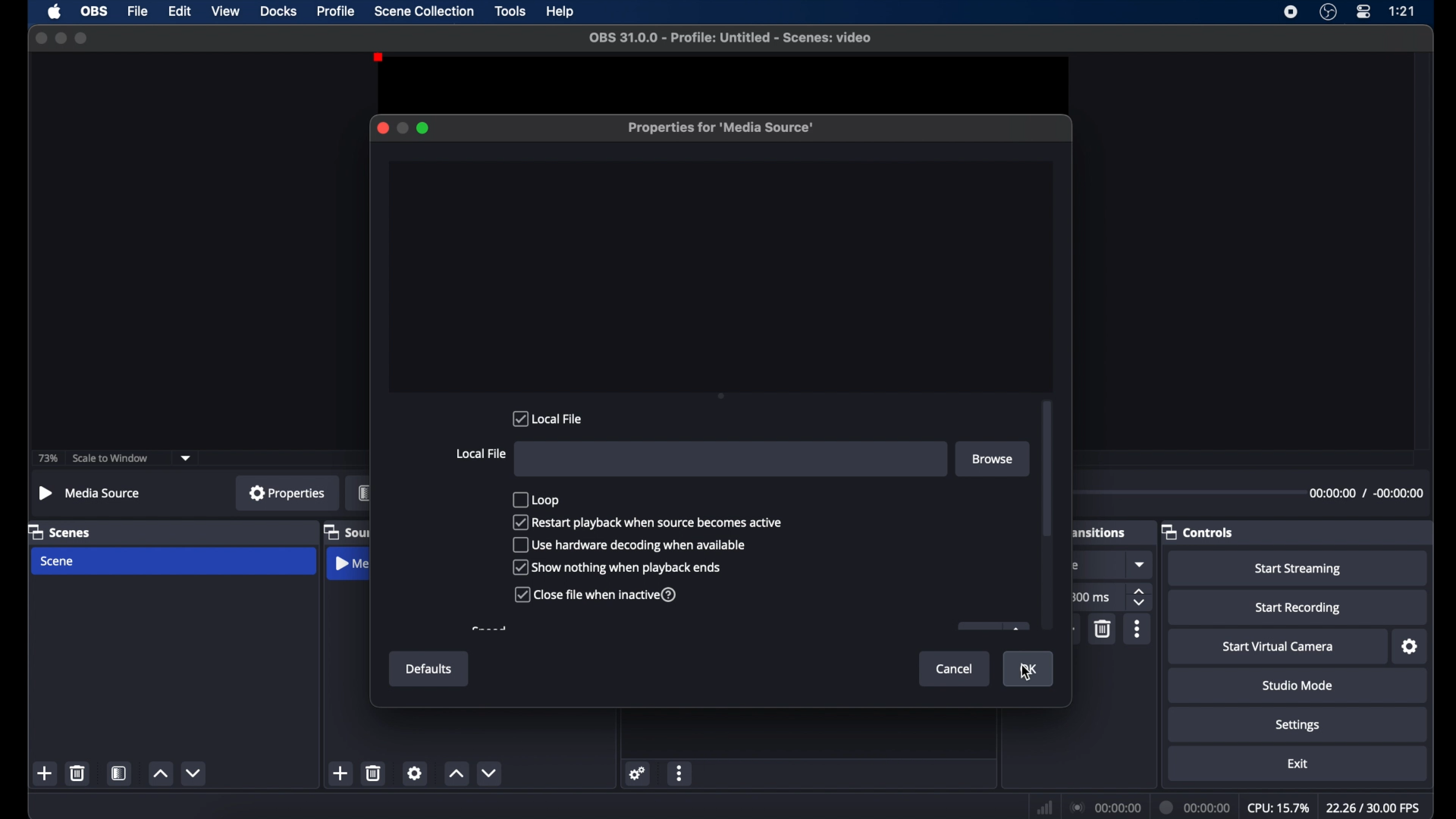 The image size is (1456, 819). What do you see at coordinates (60, 38) in the screenshot?
I see `minimize` at bounding box center [60, 38].